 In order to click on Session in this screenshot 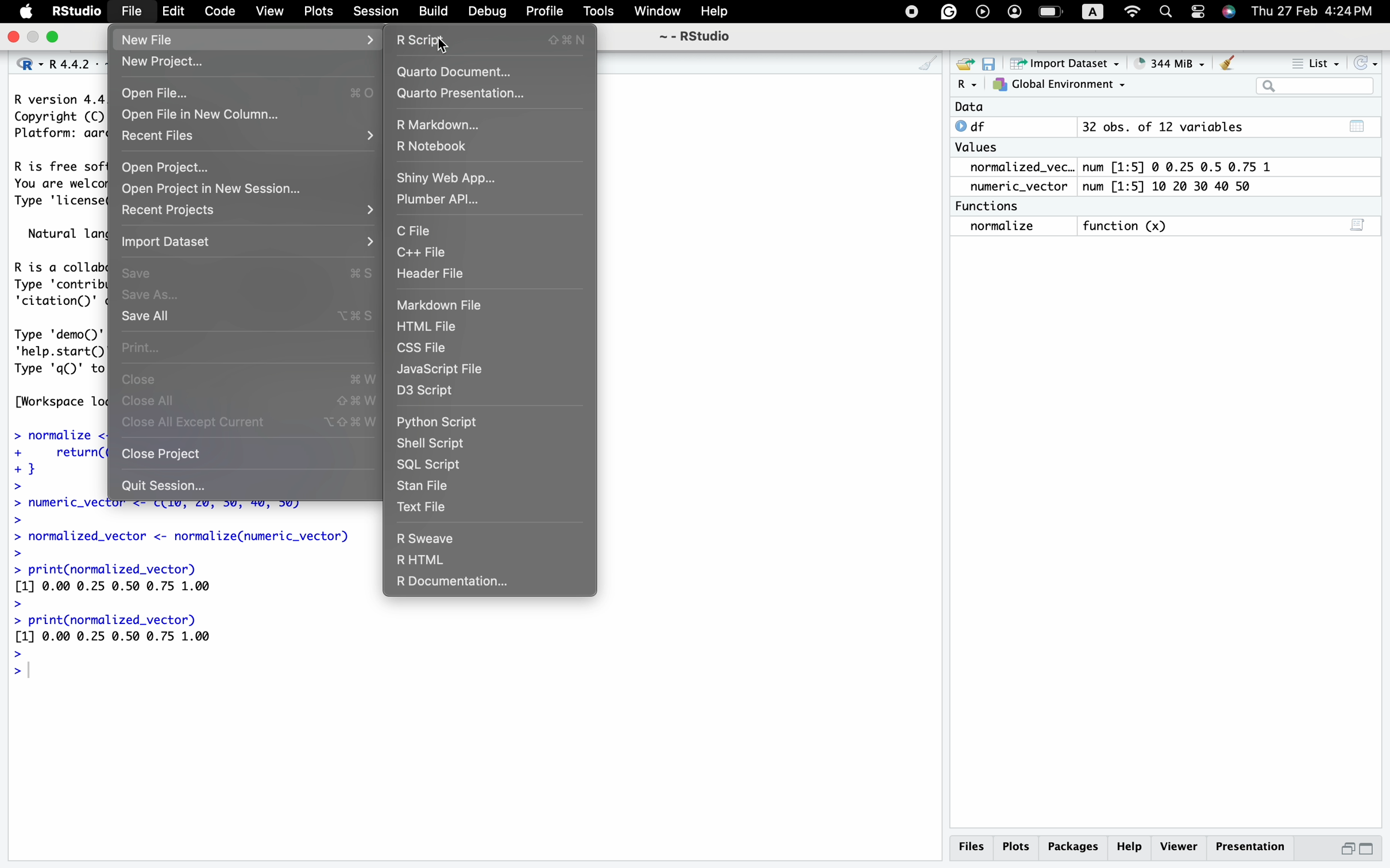, I will do `click(374, 13)`.